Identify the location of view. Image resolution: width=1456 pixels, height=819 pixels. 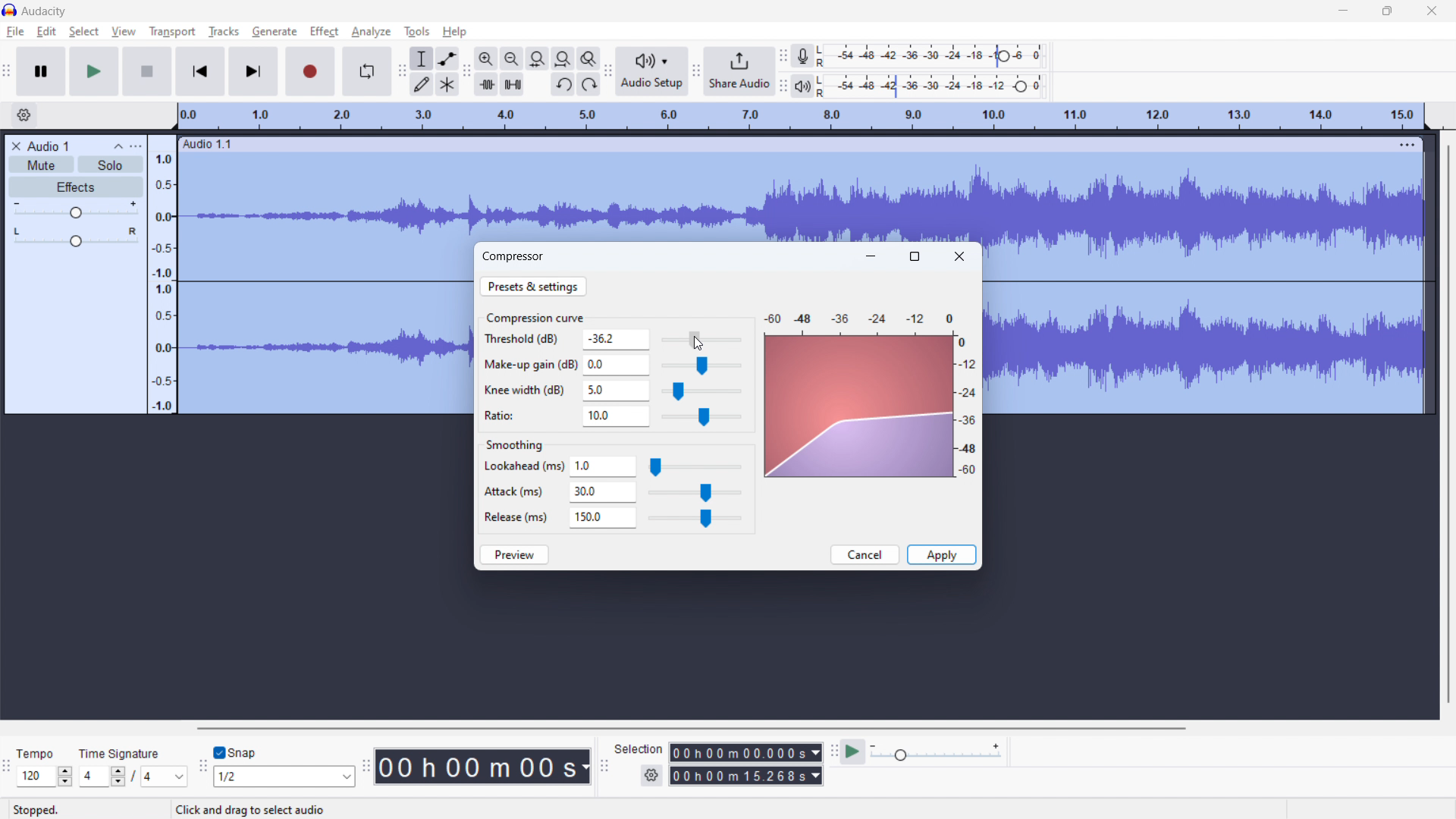
(124, 32).